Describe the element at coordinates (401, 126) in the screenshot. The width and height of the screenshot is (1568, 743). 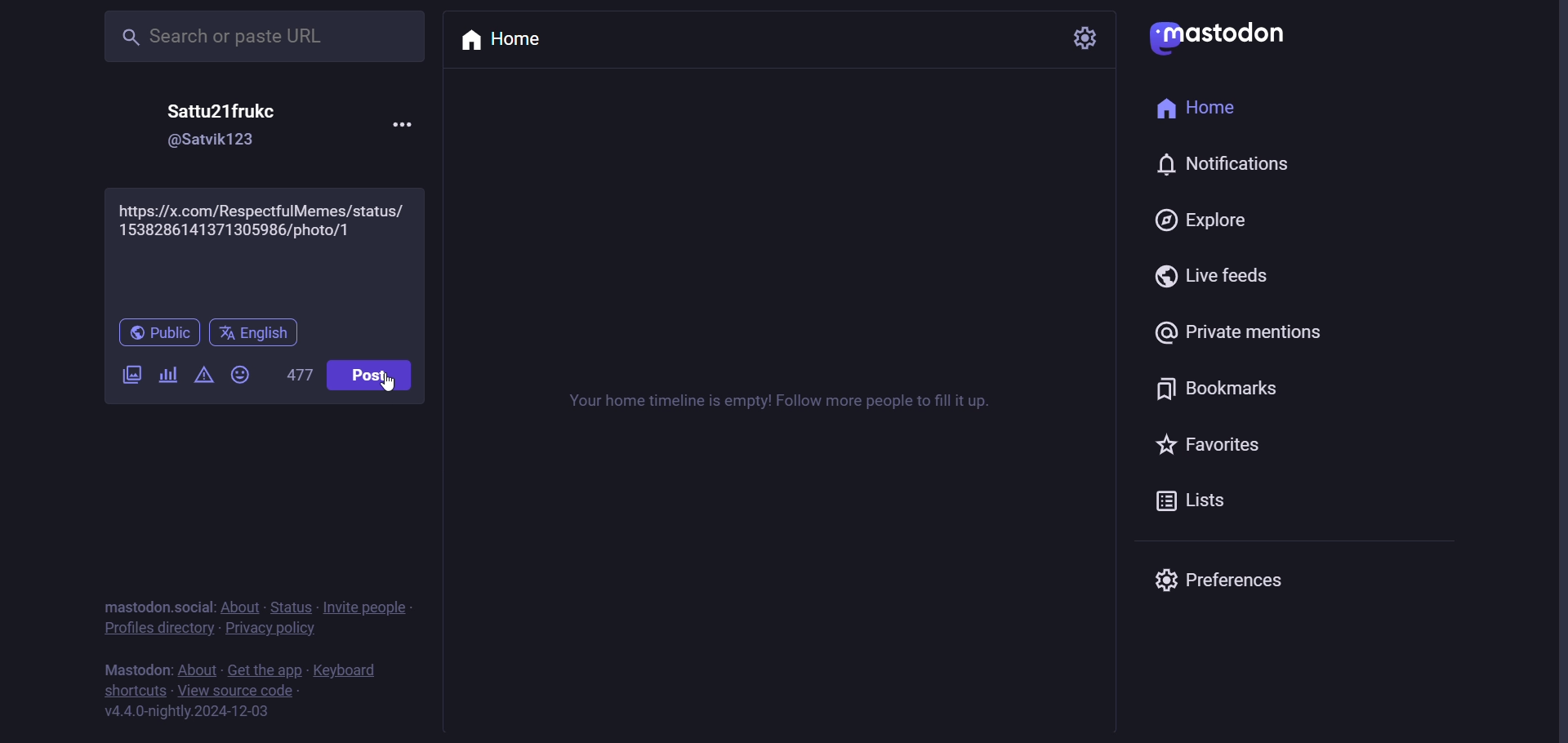
I see `more` at that location.